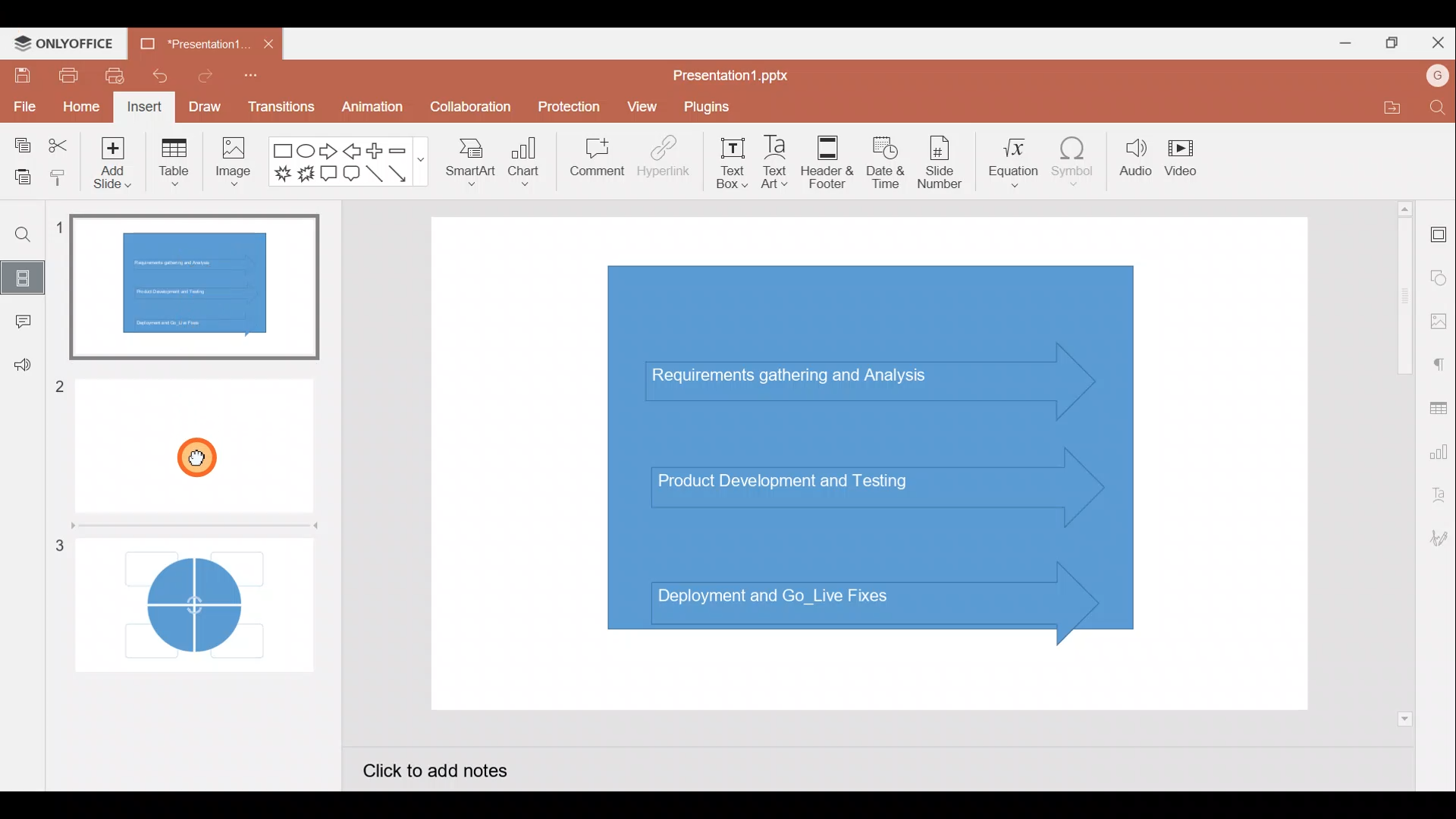 The width and height of the screenshot is (1456, 819). Describe the element at coordinates (199, 452) in the screenshot. I see `Cursor on slide 2` at that location.